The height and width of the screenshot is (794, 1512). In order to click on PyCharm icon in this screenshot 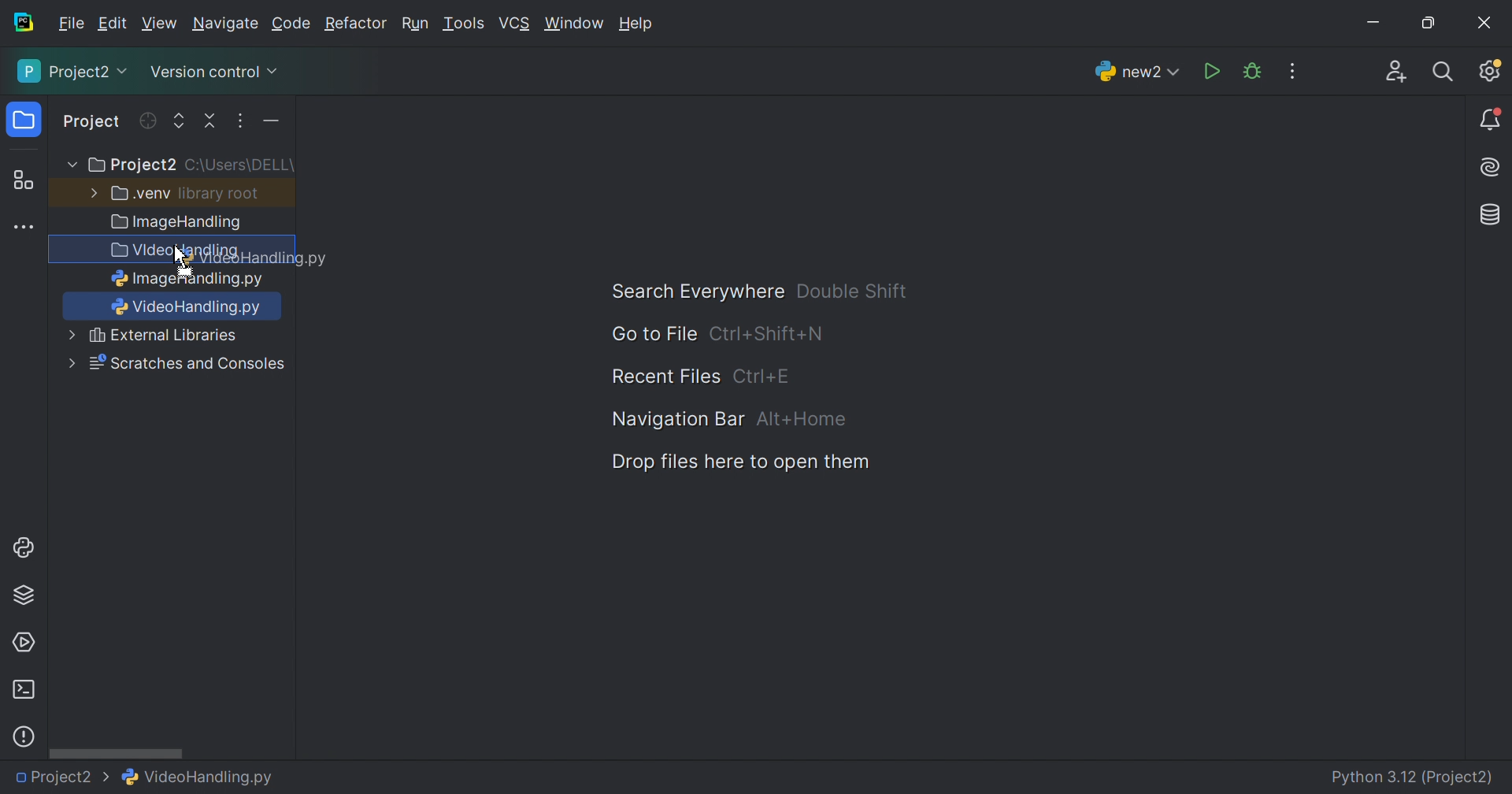, I will do `click(22, 23)`.